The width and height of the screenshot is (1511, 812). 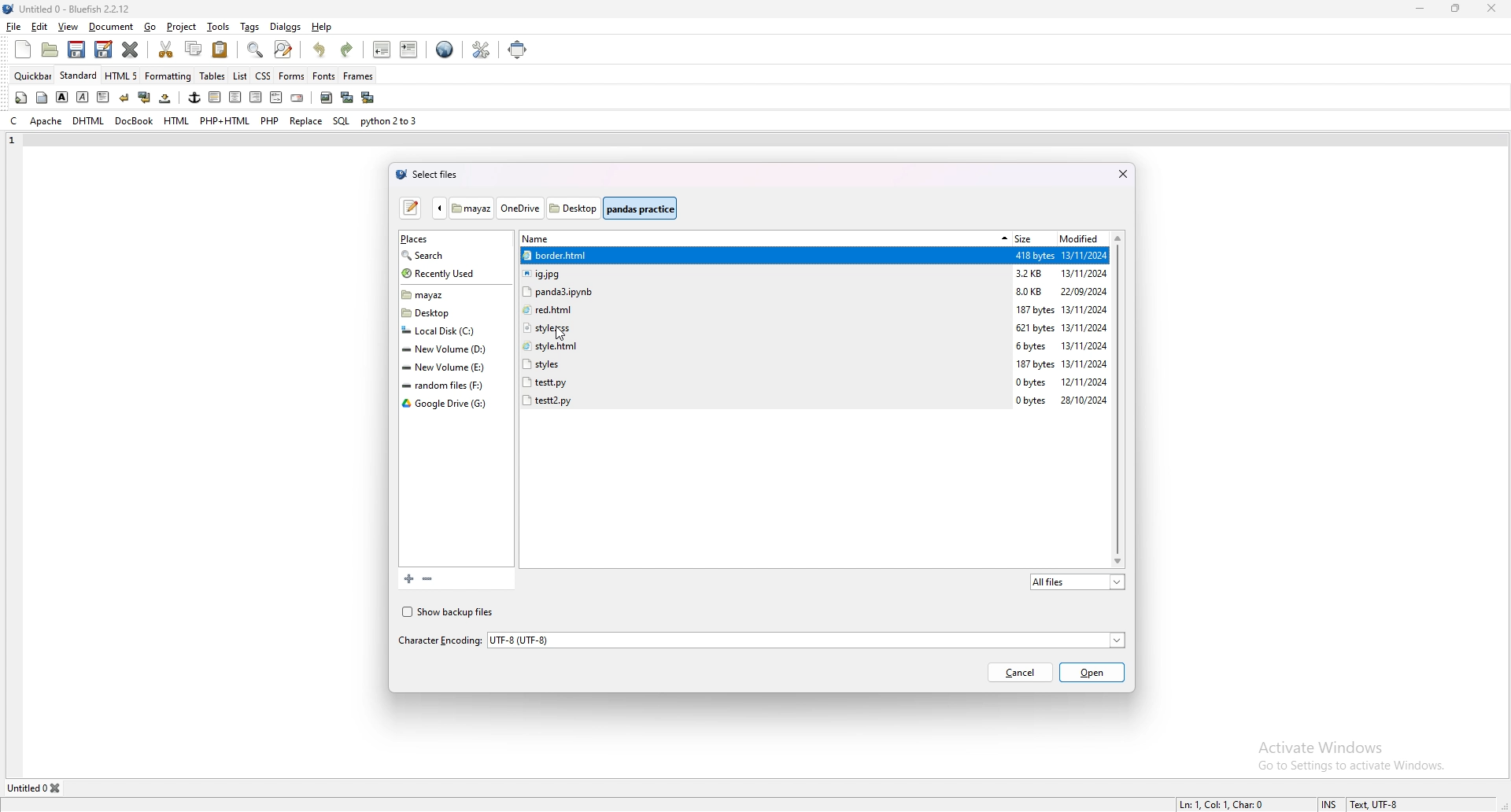 I want to click on help, so click(x=323, y=28).